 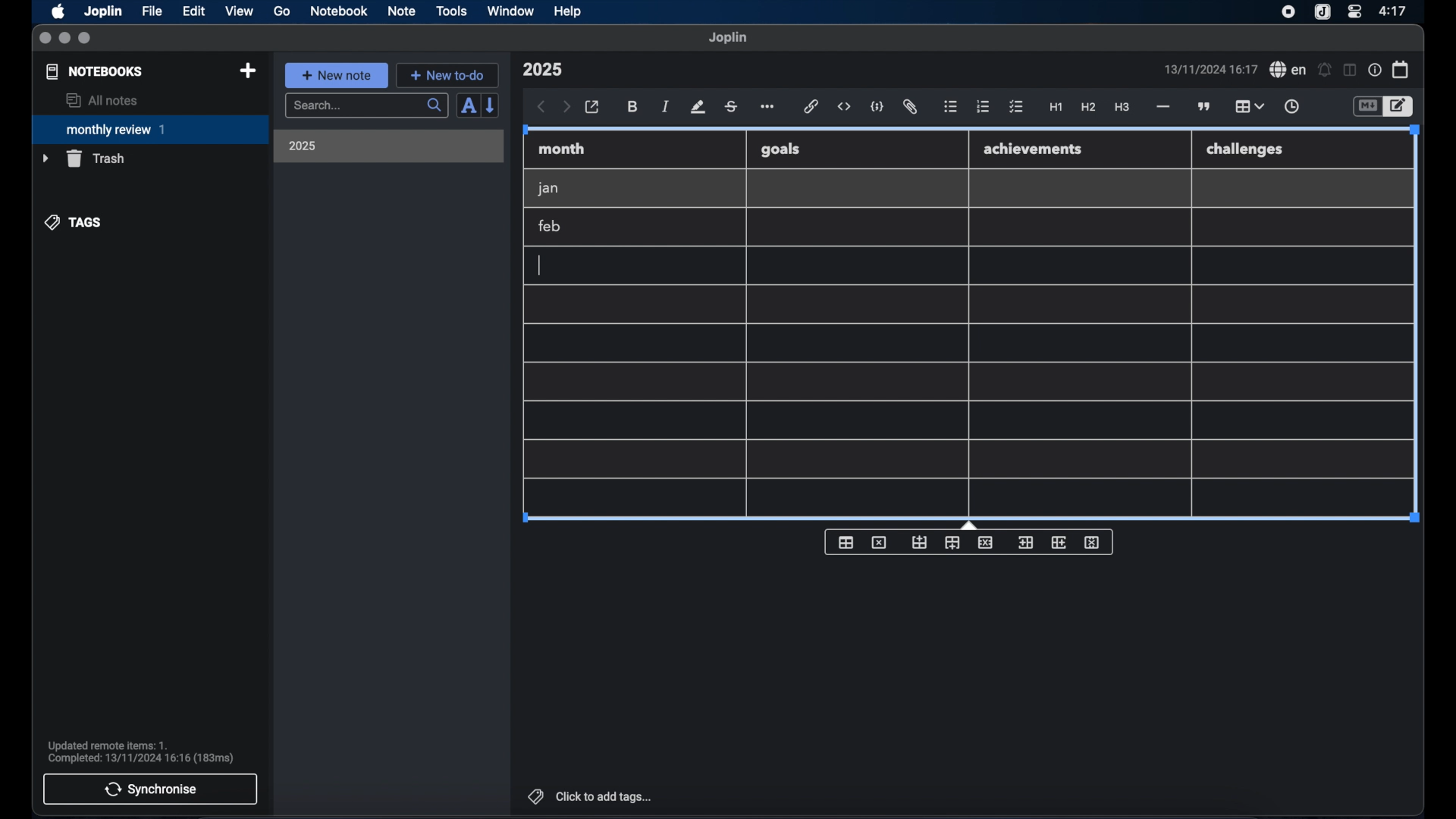 I want to click on new to-do, so click(x=448, y=75).